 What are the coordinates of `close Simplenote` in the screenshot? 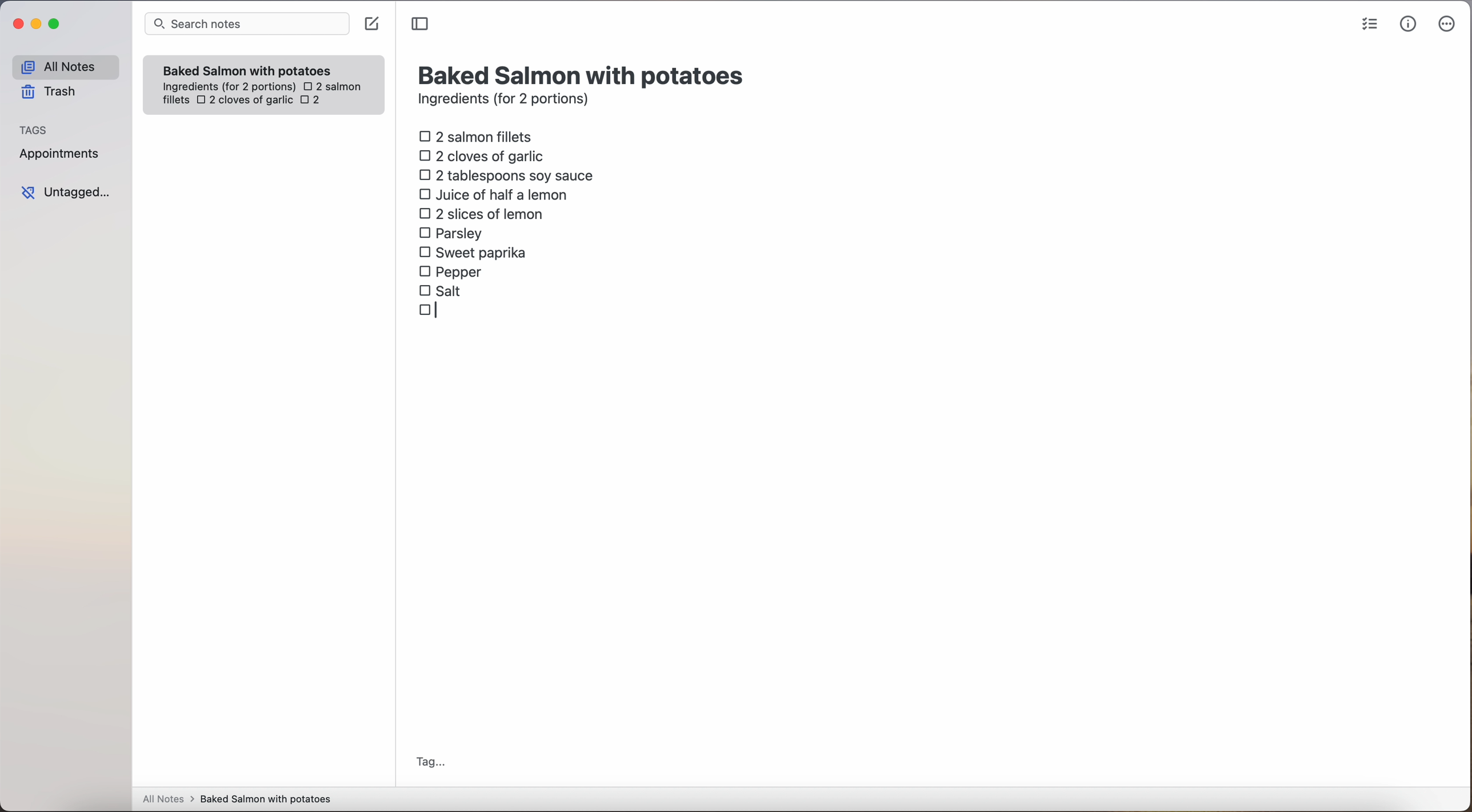 It's located at (17, 25).